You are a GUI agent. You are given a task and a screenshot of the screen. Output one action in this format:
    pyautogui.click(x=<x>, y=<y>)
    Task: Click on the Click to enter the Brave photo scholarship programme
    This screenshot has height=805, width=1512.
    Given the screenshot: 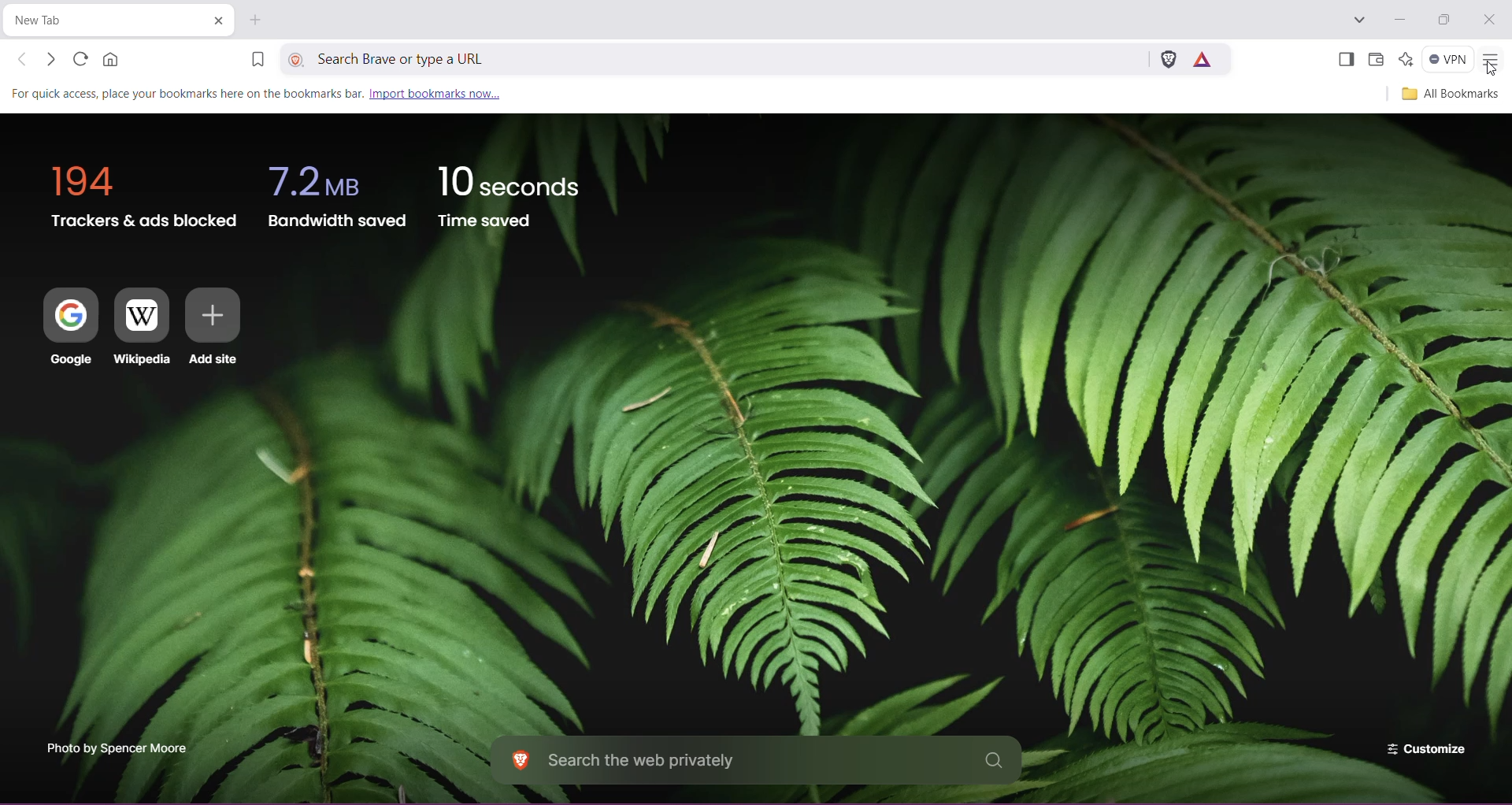 What is the action you would take?
    pyautogui.click(x=115, y=747)
    